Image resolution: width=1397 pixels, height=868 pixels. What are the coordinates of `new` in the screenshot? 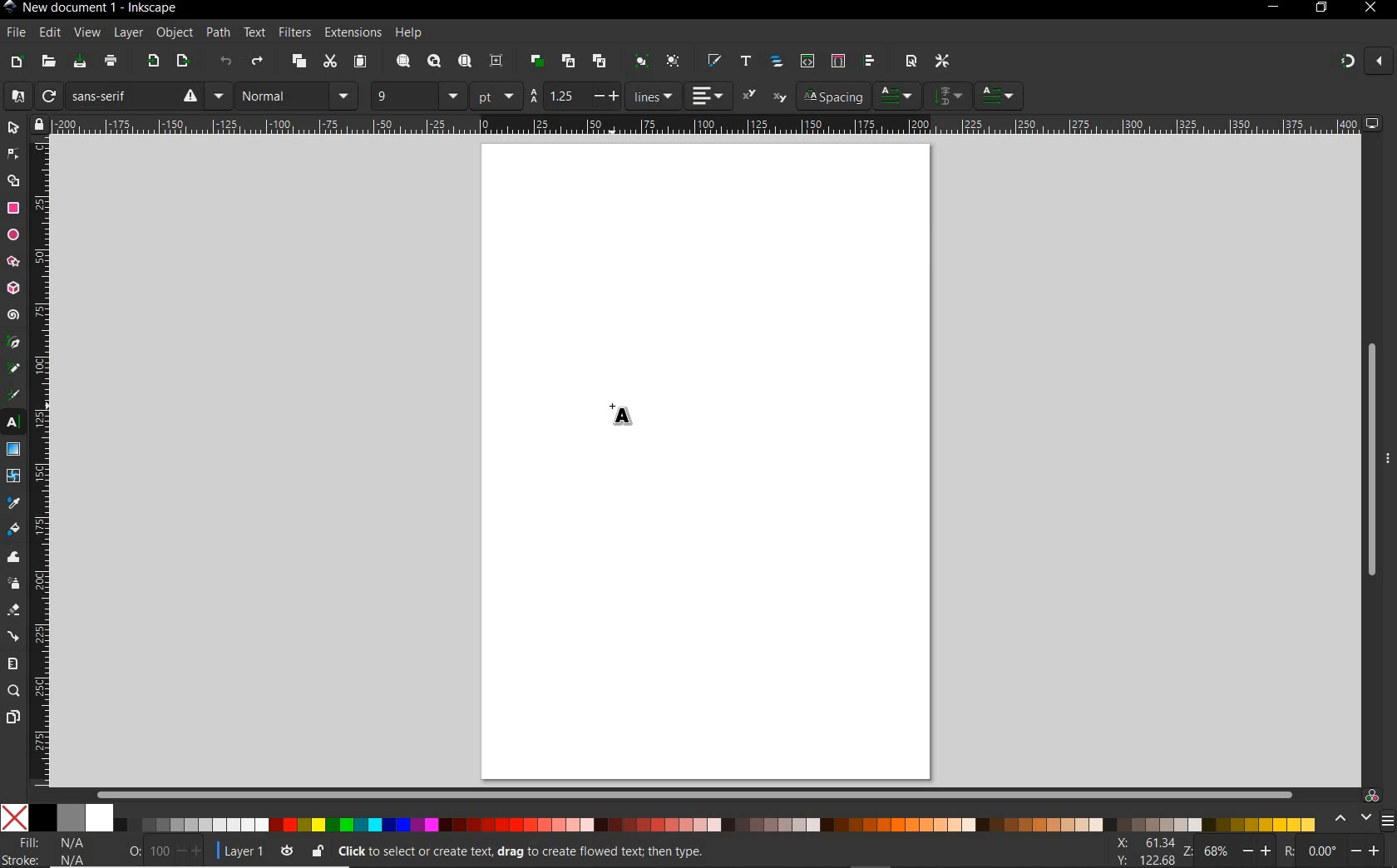 It's located at (16, 62).